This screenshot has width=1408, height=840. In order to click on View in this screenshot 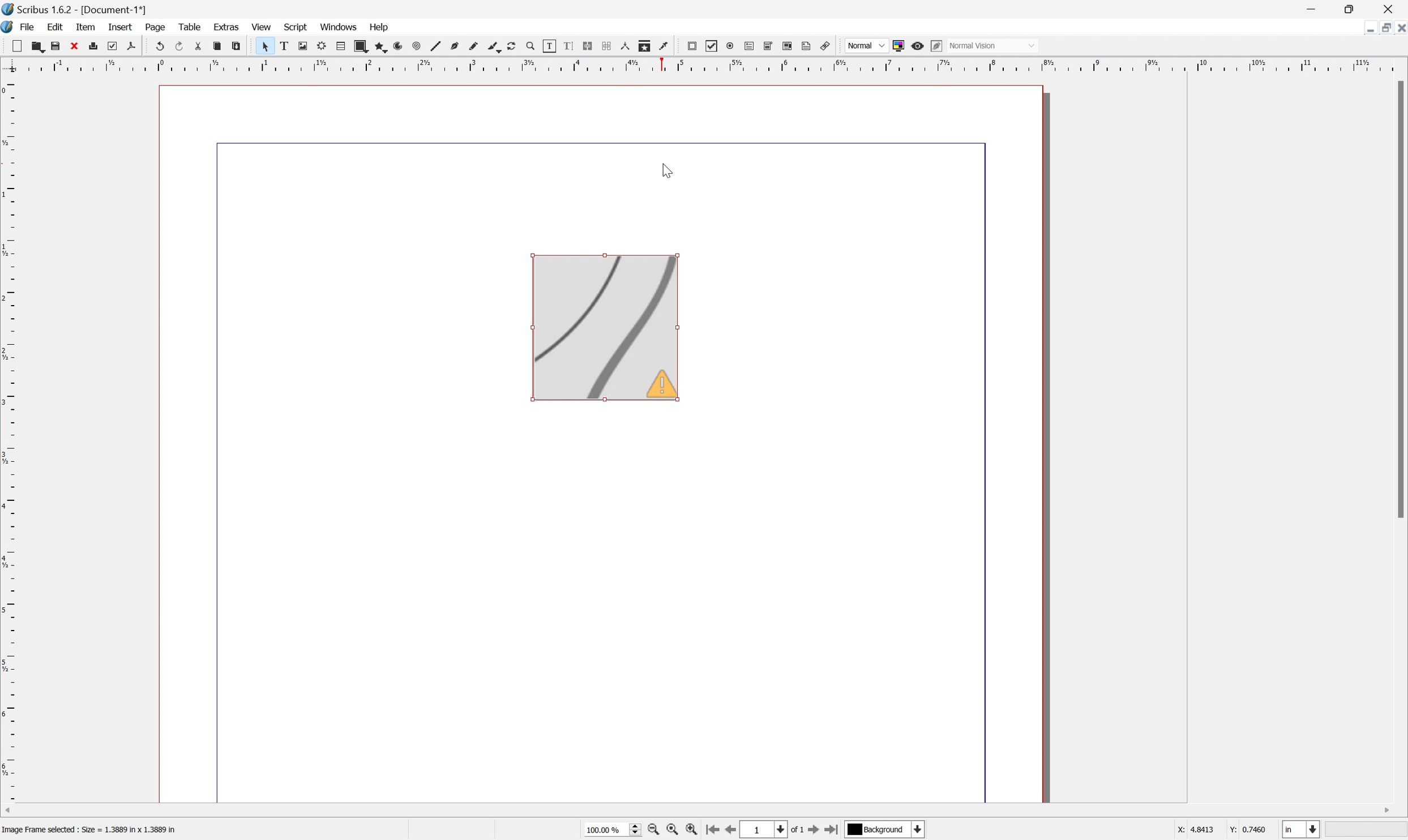, I will do `click(260, 28)`.